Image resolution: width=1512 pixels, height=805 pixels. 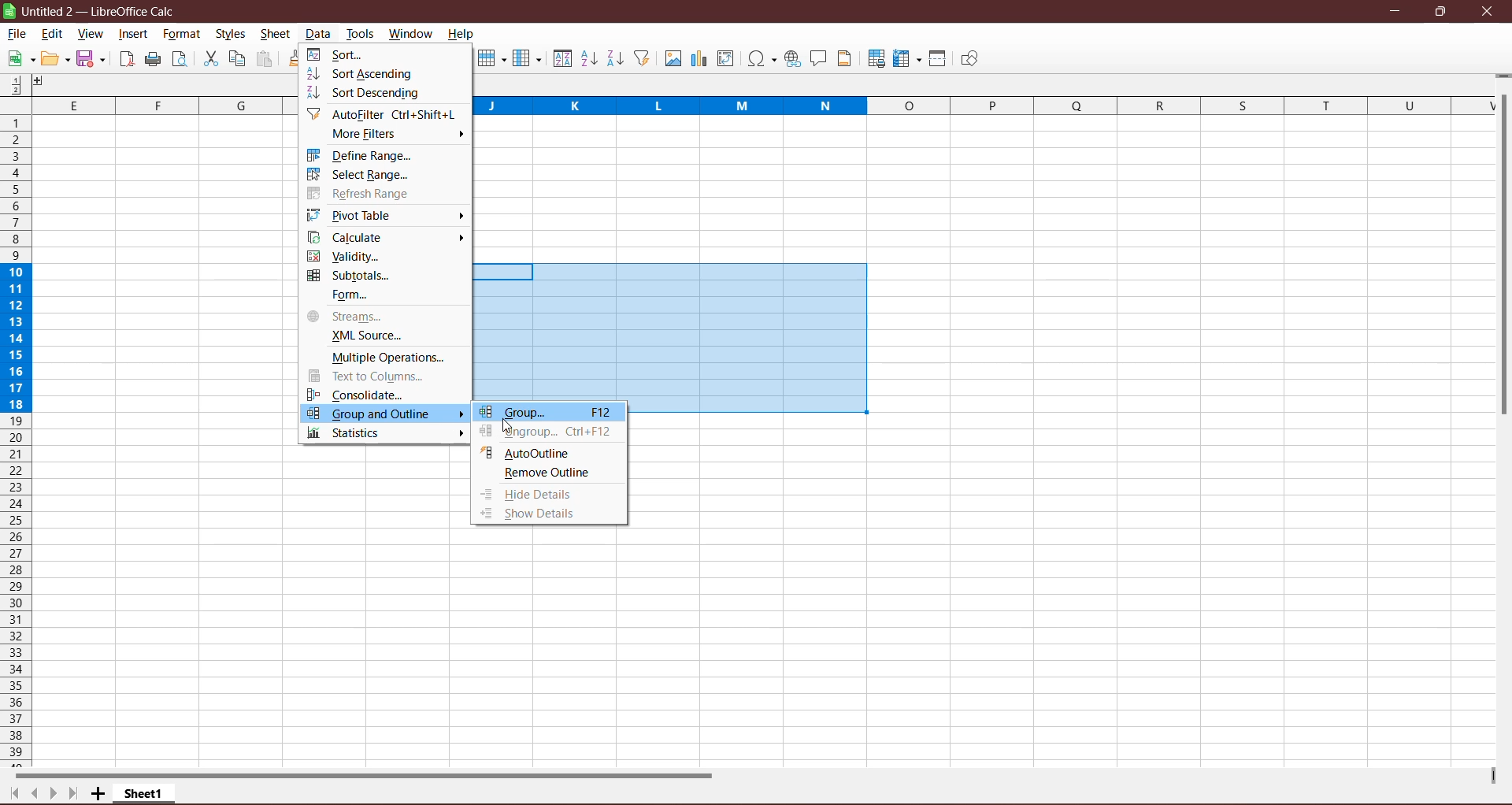 What do you see at coordinates (32, 793) in the screenshot?
I see `Scroll to previous page` at bounding box center [32, 793].